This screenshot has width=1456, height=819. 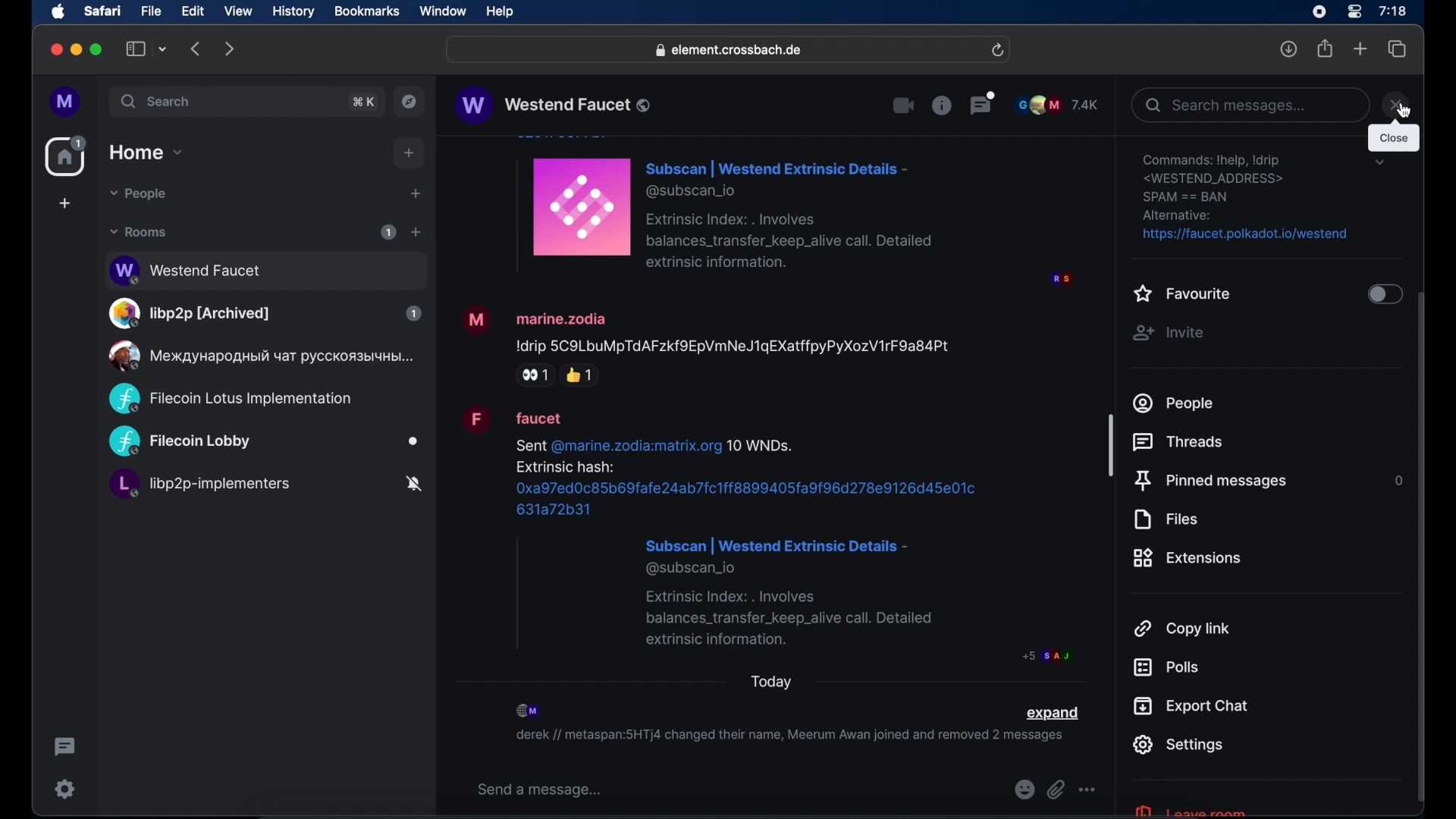 What do you see at coordinates (1087, 790) in the screenshot?
I see `more options` at bounding box center [1087, 790].